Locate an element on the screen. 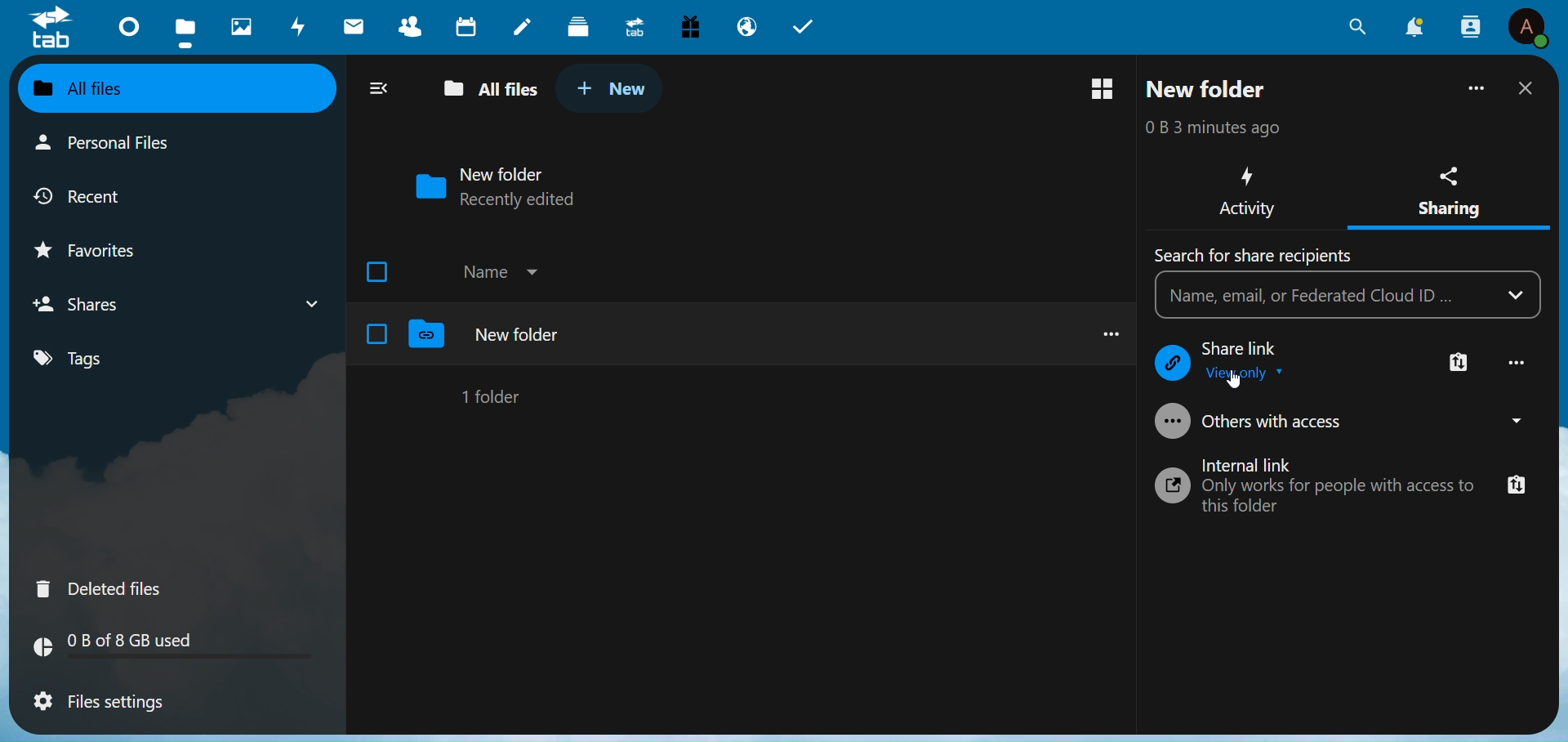  More Option is located at coordinates (1519, 362).